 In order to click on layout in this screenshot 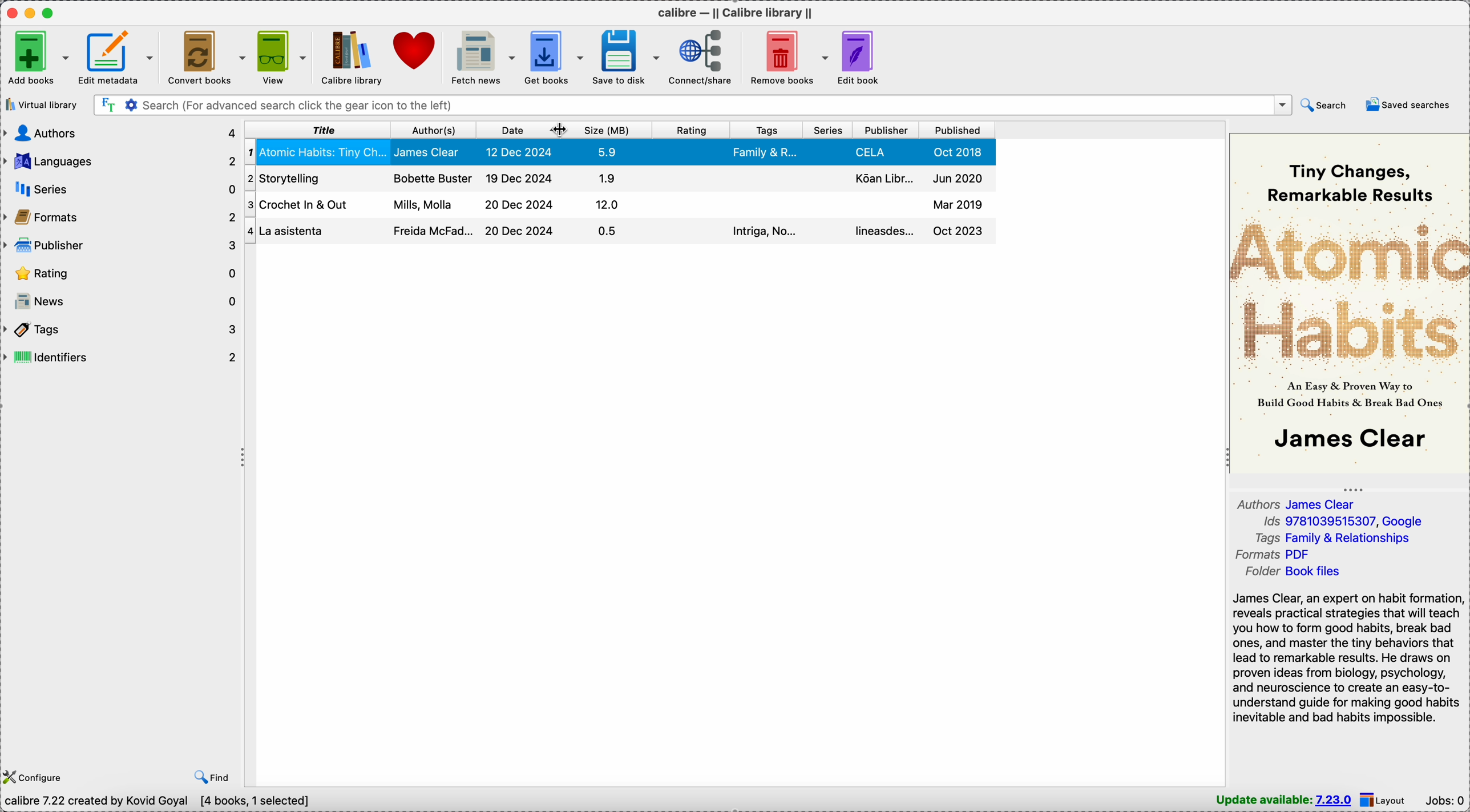, I will do `click(1386, 801)`.